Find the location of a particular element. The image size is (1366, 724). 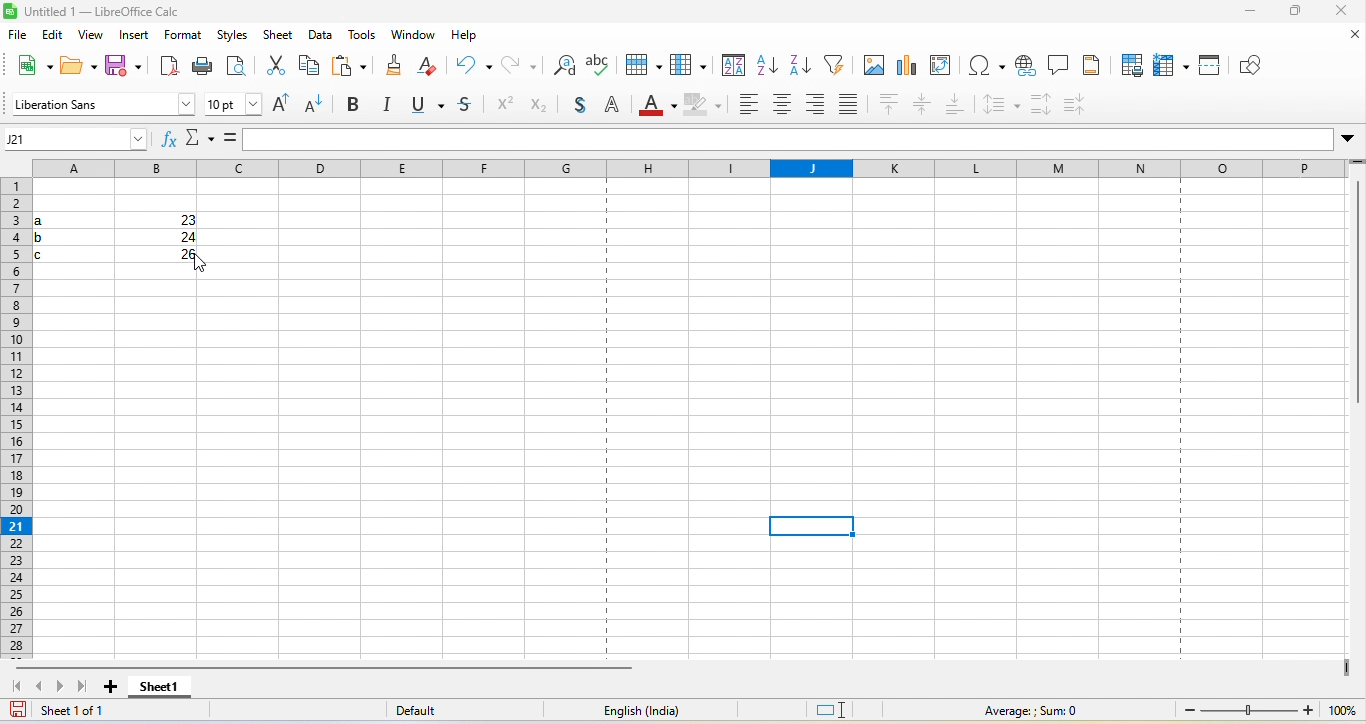

clone formatting is located at coordinates (394, 67).